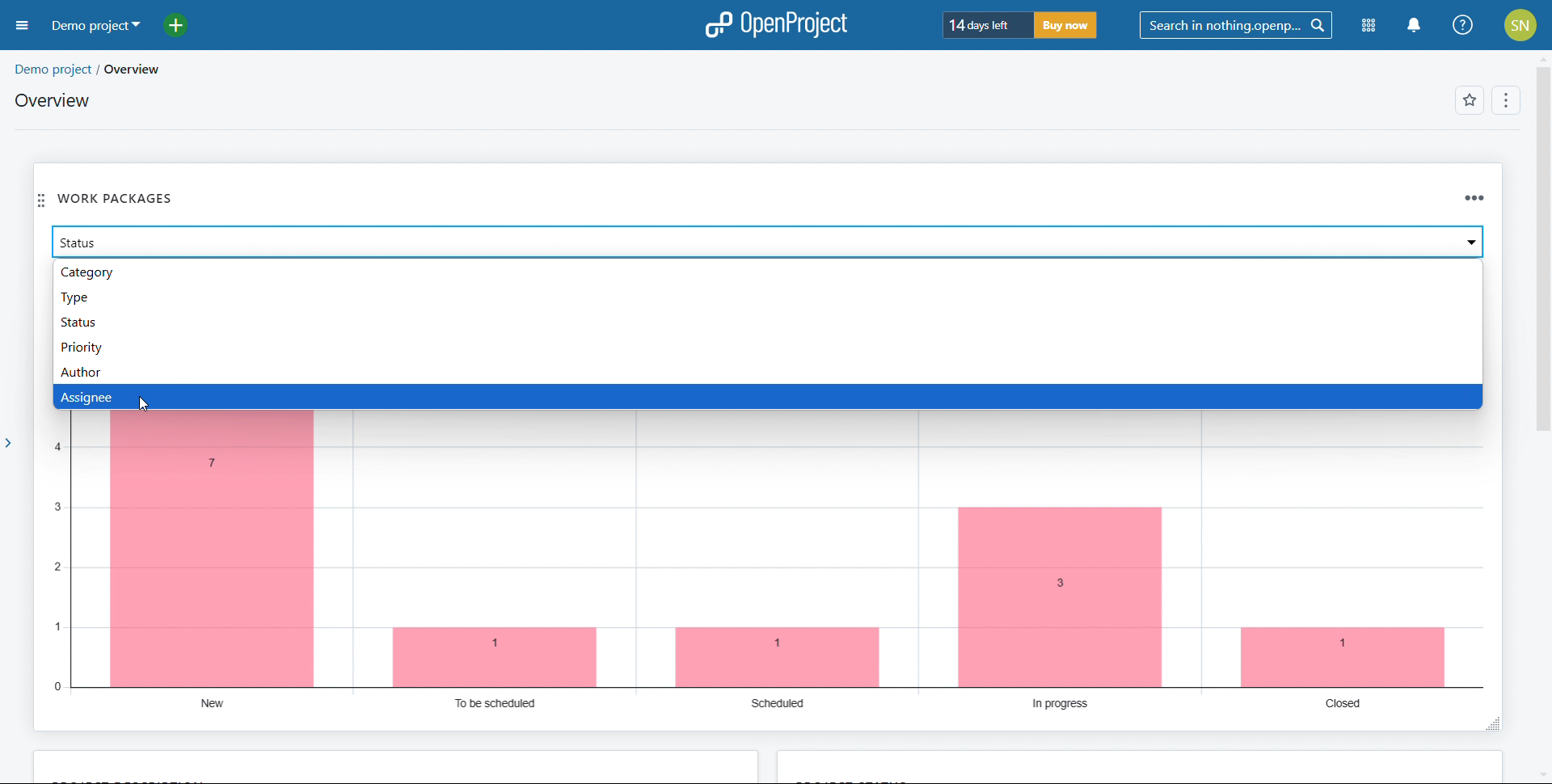 This screenshot has width=1552, height=784. What do you see at coordinates (1520, 24) in the screenshot?
I see `account` at bounding box center [1520, 24].